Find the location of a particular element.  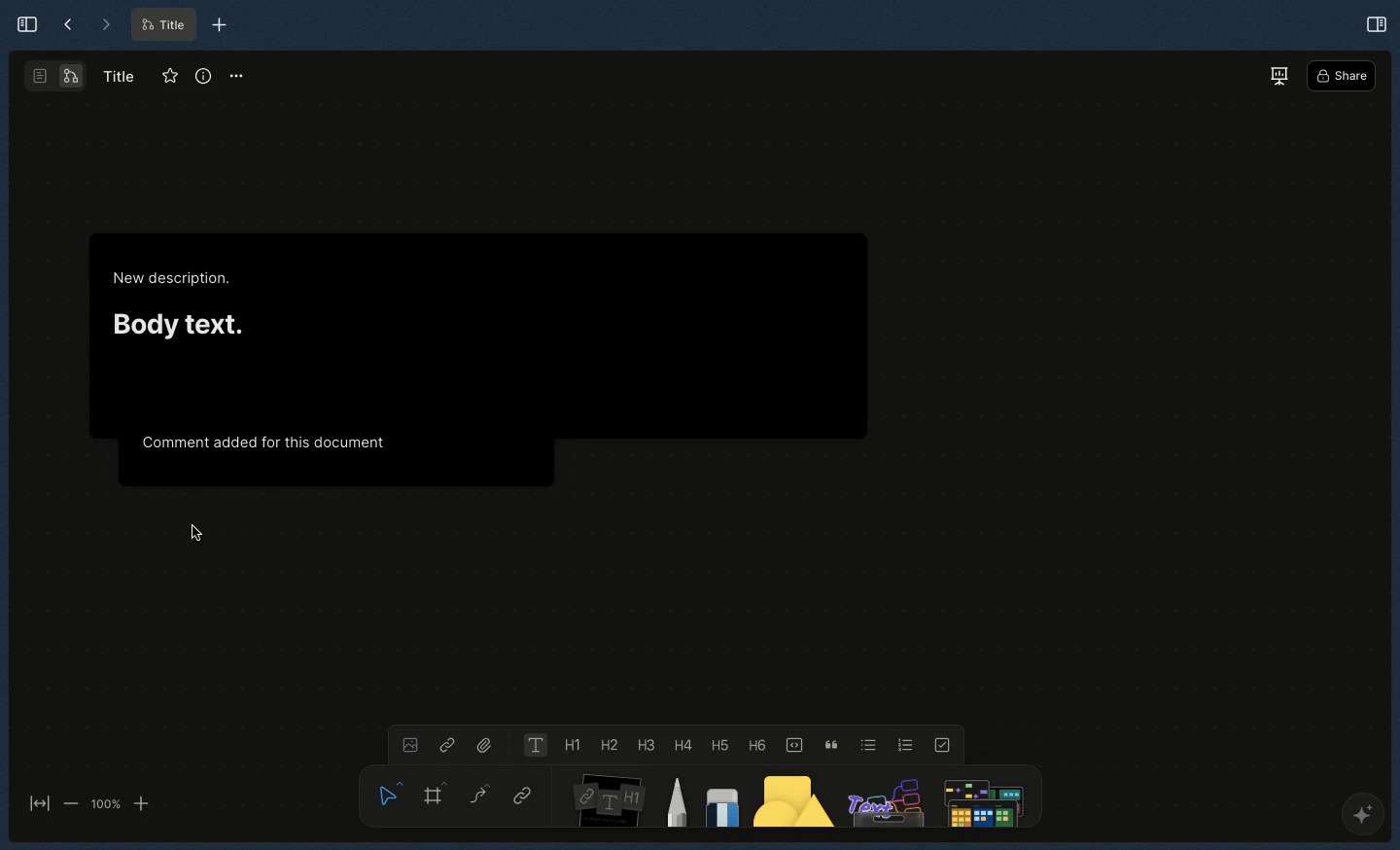

Search file or anything is located at coordinates (980, 797).